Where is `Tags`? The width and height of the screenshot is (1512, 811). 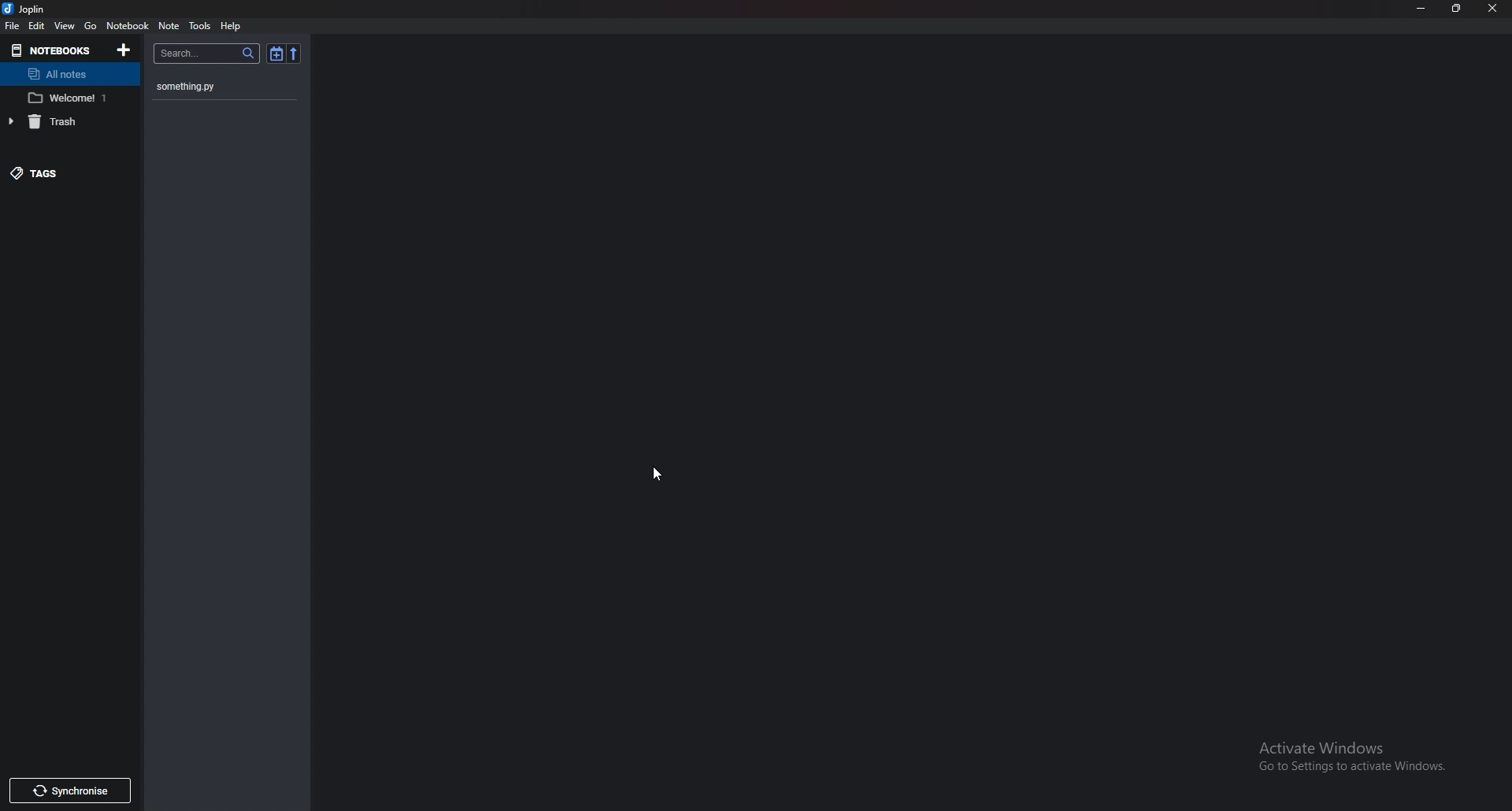 Tags is located at coordinates (63, 172).